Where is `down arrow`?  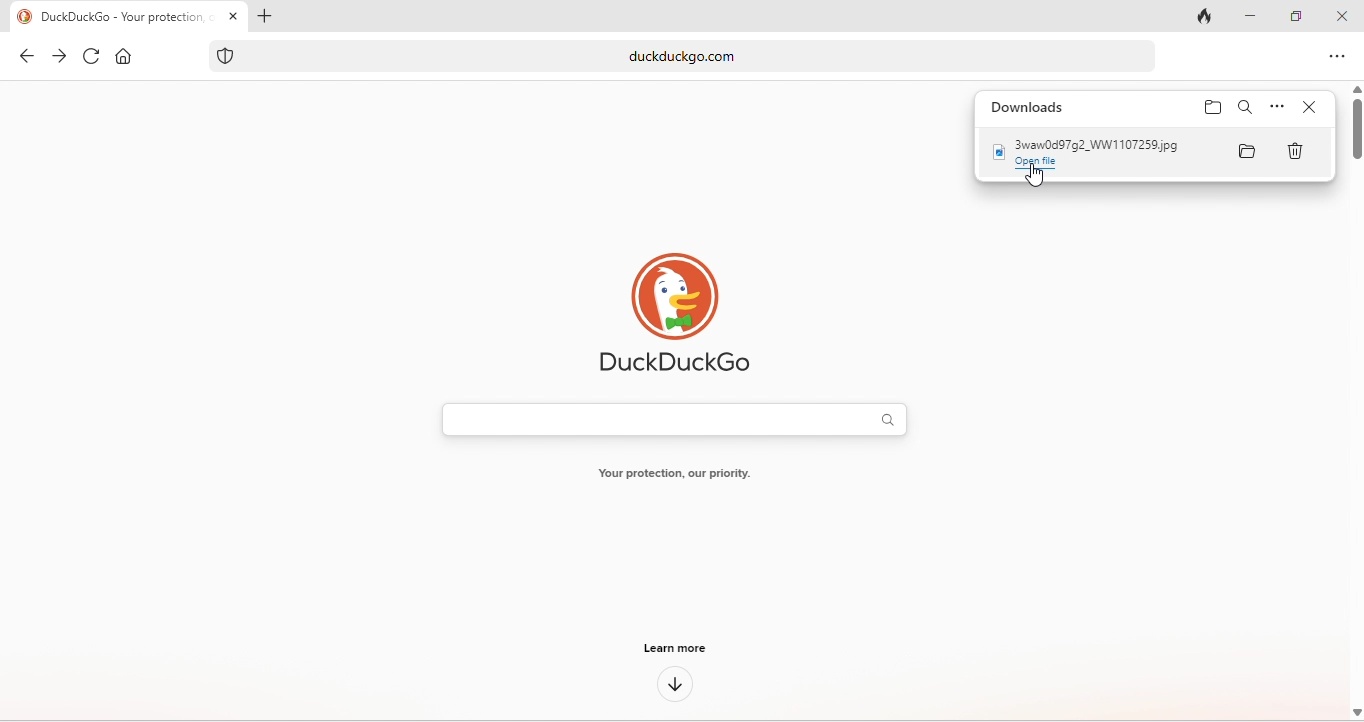
down arrow is located at coordinates (678, 682).